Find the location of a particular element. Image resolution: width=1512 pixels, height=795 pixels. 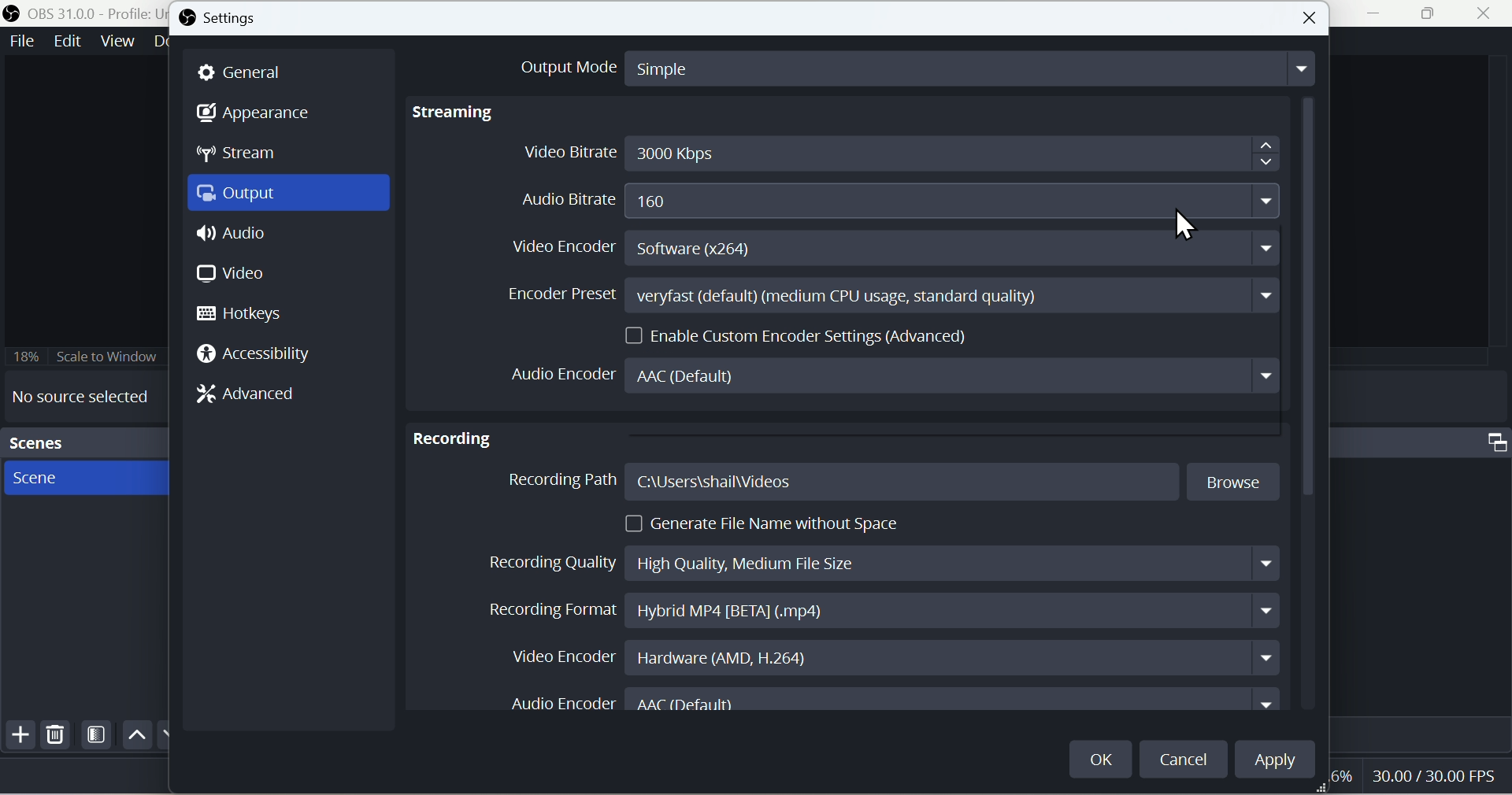

Add is located at coordinates (18, 738).